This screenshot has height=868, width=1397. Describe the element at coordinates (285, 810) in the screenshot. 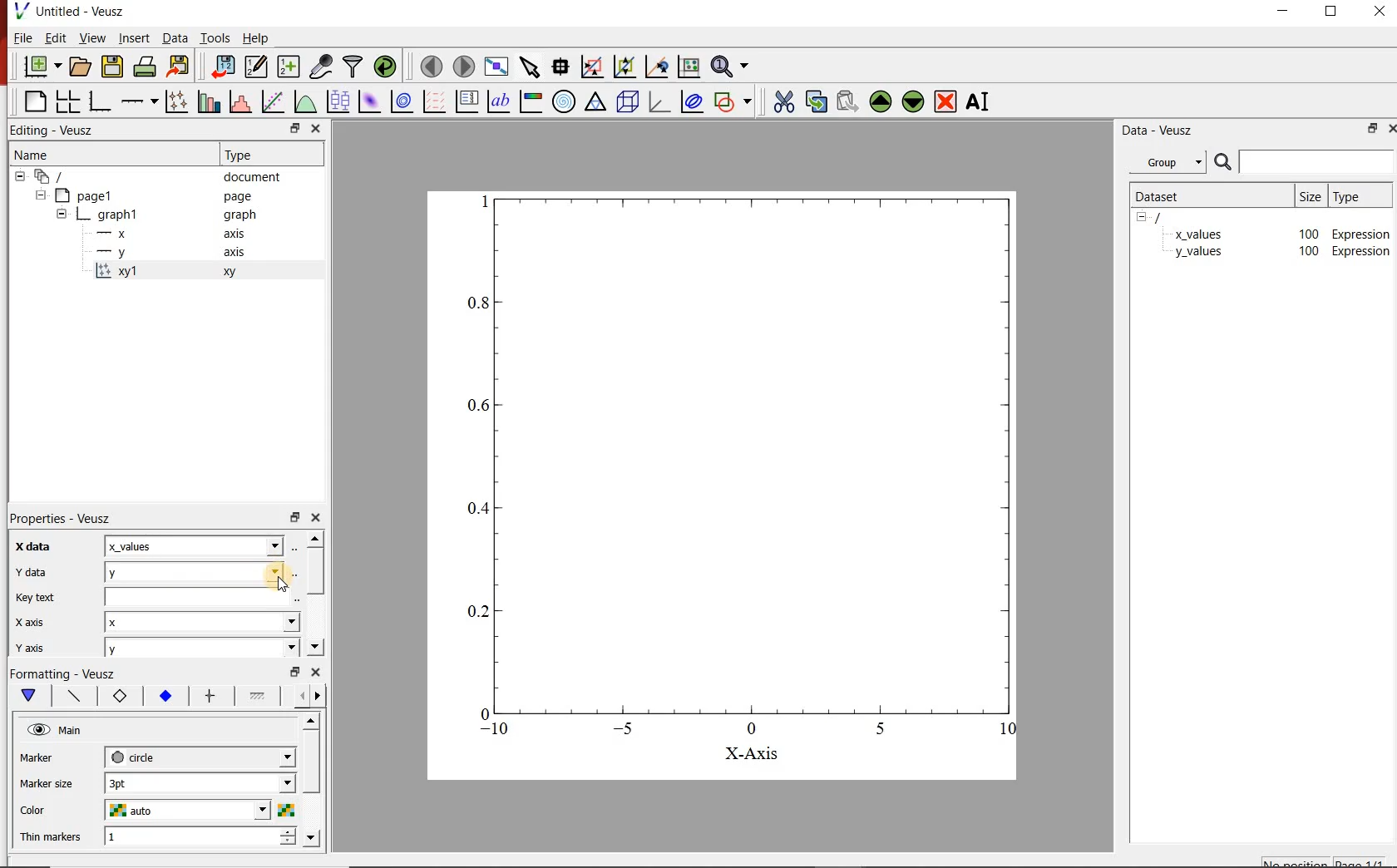

I see `colors` at that location.